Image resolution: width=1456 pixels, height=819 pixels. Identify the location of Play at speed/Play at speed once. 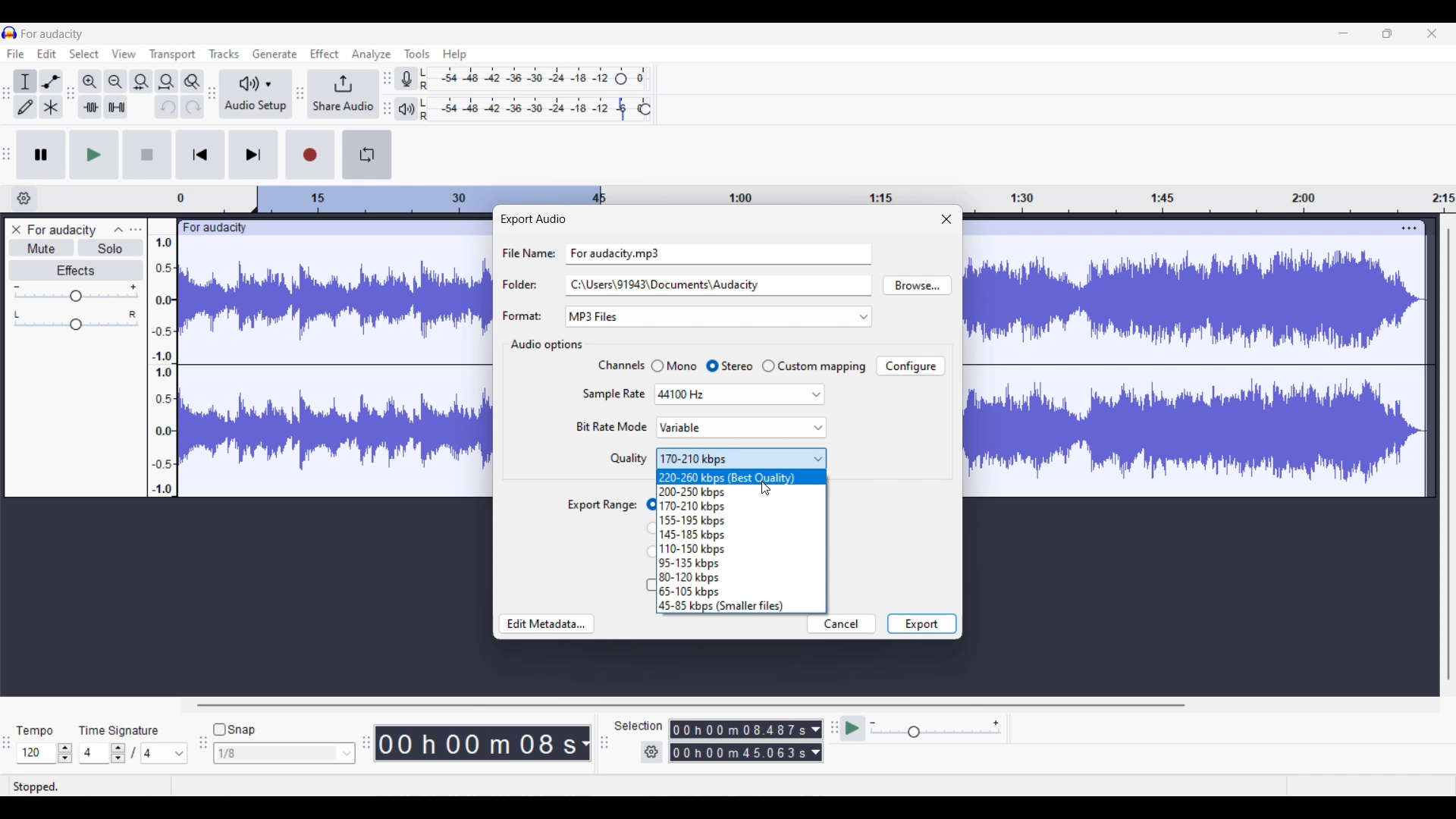
(854, 728).